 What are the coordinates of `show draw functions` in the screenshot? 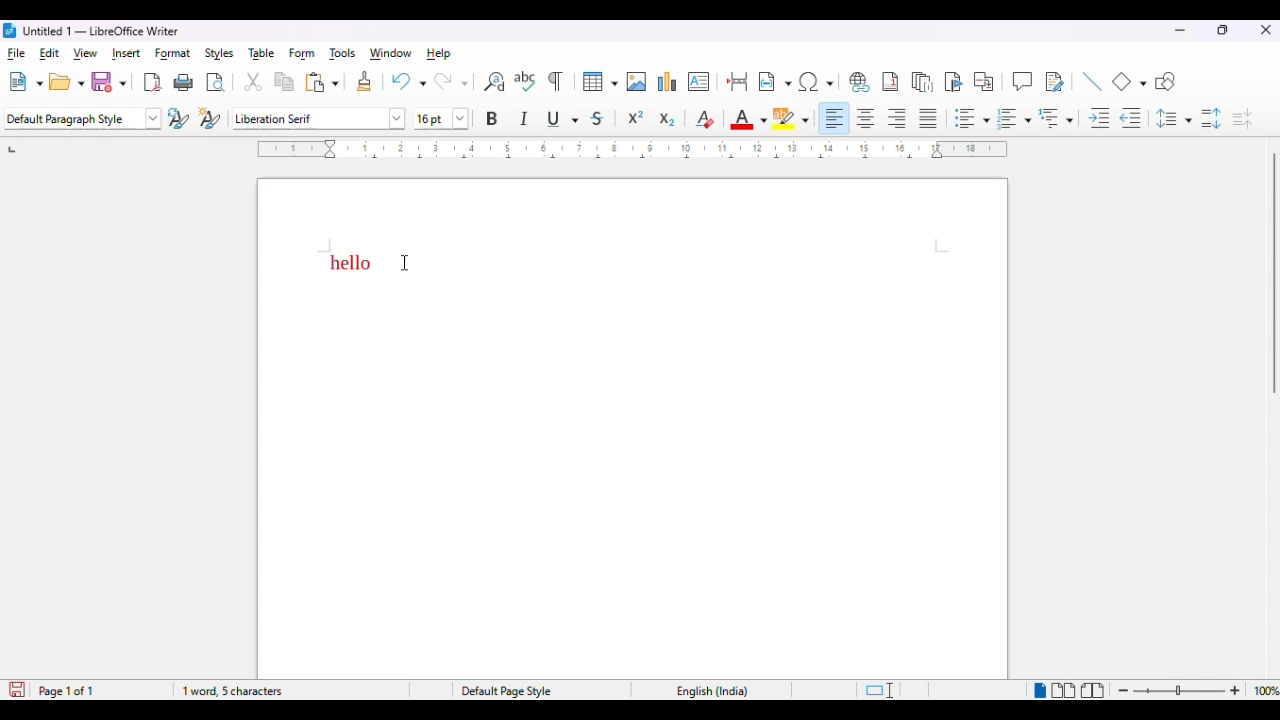 It's located at (1166, 82).